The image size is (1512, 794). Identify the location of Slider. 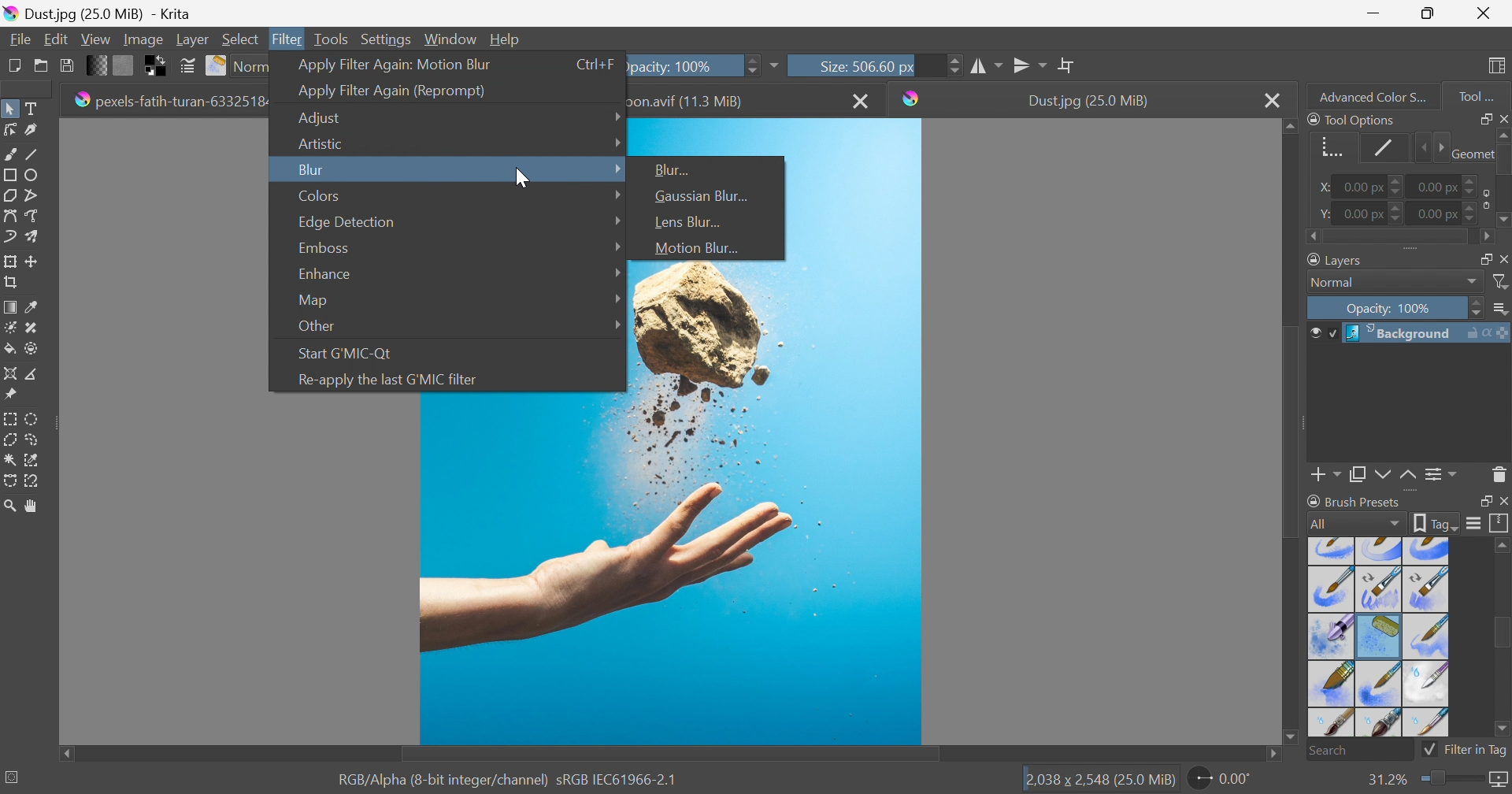
(1503, 179).